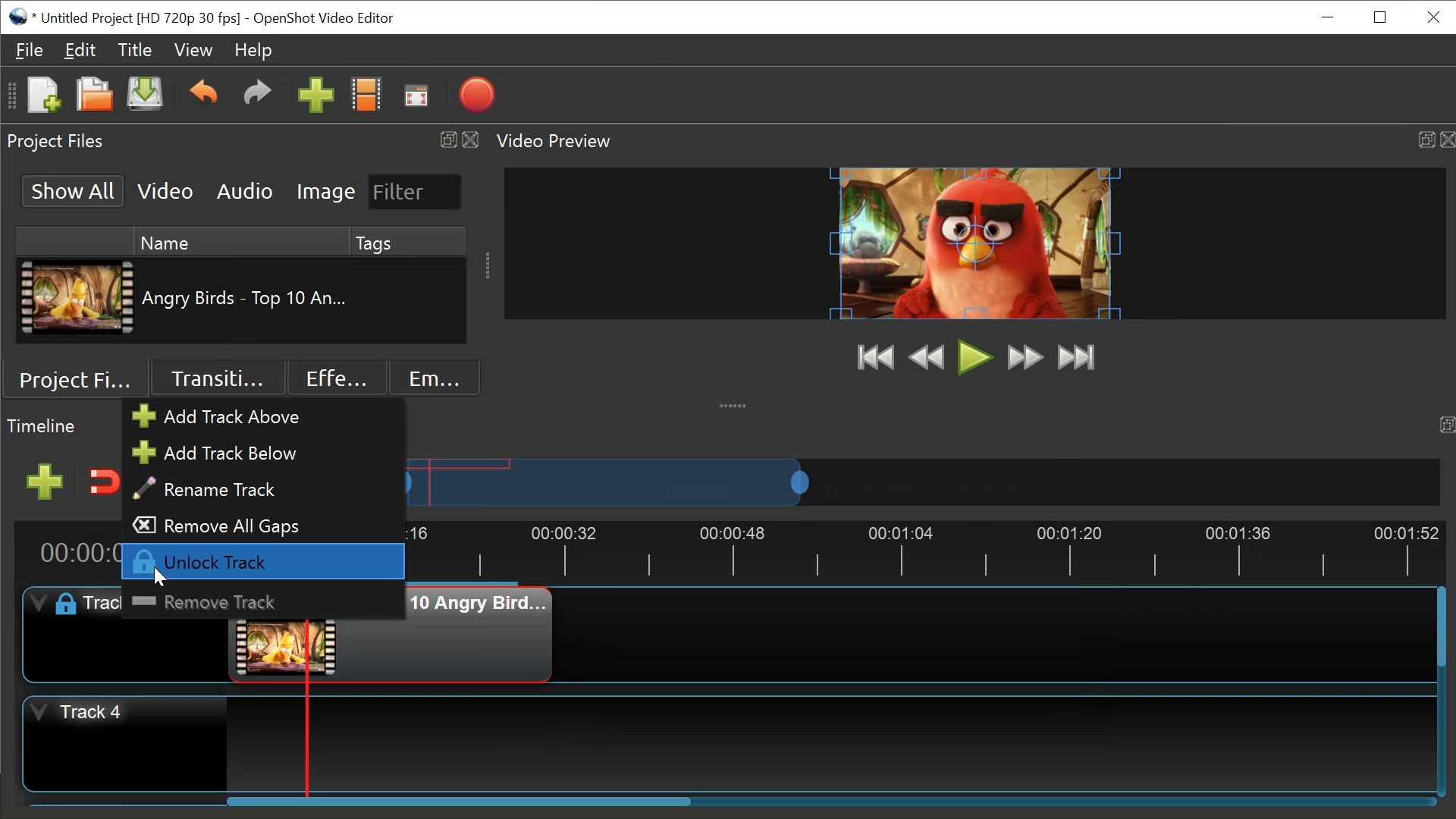  I want to click on Edit, so click(81, 50).